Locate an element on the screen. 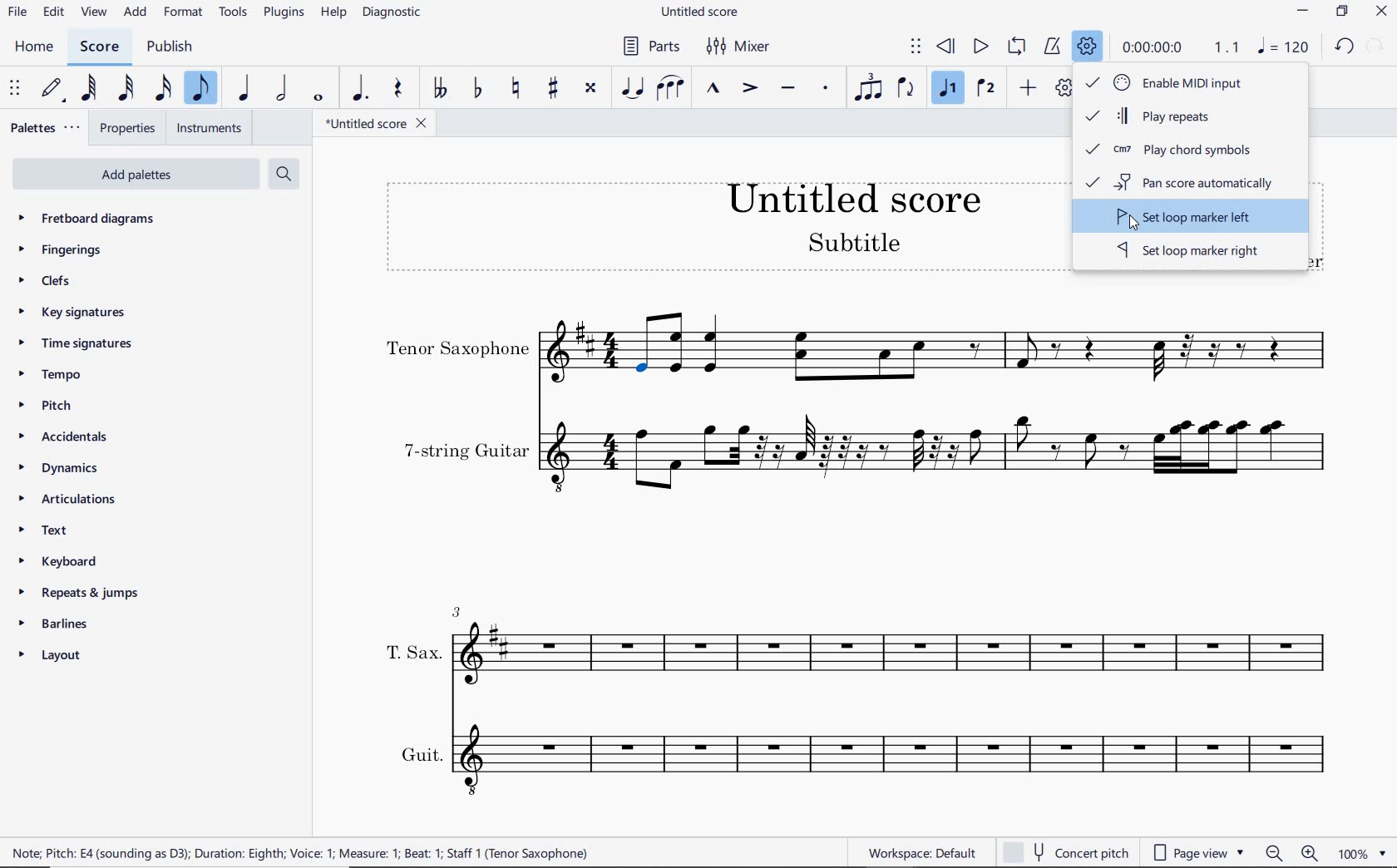  FINGERINGS is located at coordinates (62, 250).